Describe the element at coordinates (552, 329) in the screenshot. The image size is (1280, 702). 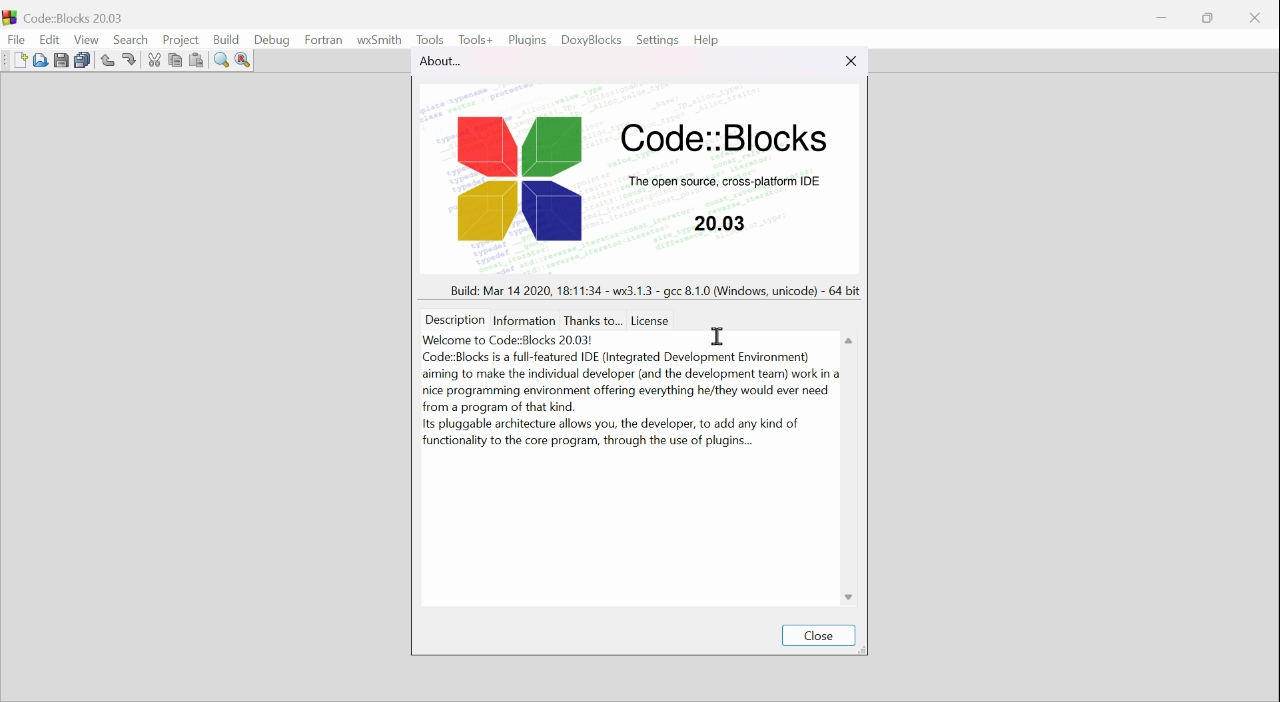
I see `Description Information Thanks to... License
Welcome to CodeBlocks 20.03!` at that location.